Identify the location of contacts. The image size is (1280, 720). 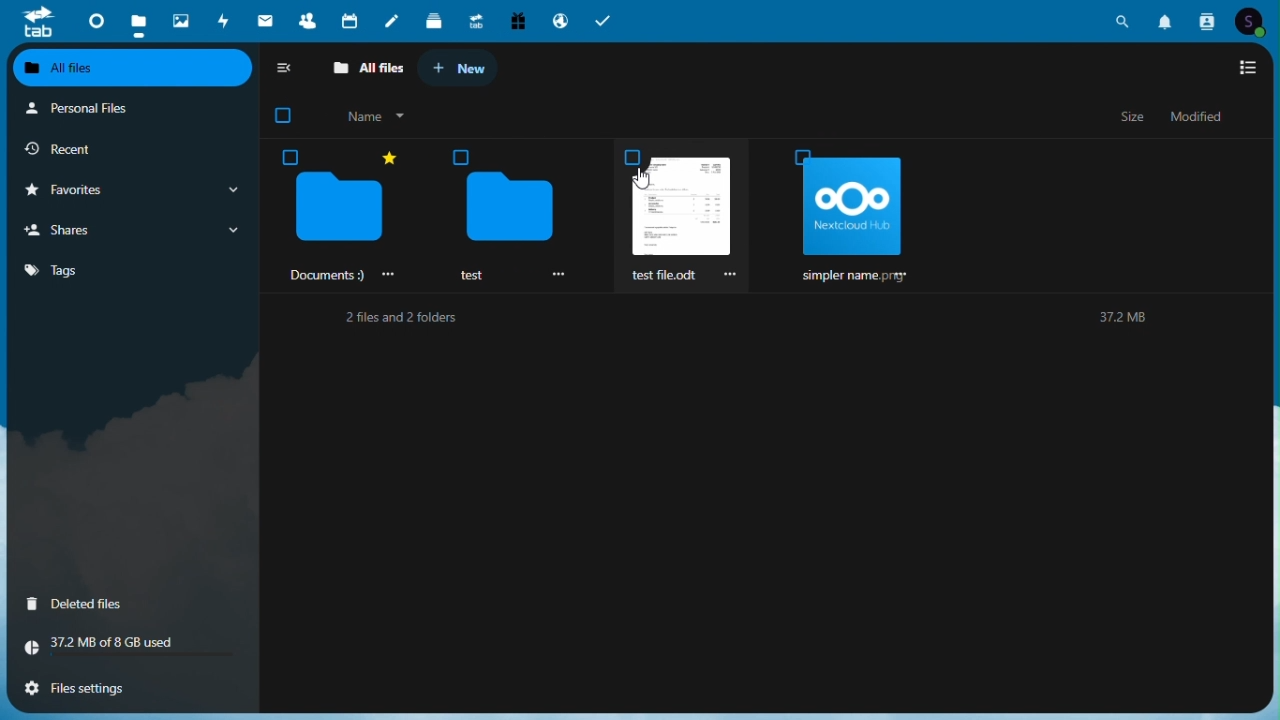
(1207, 20).